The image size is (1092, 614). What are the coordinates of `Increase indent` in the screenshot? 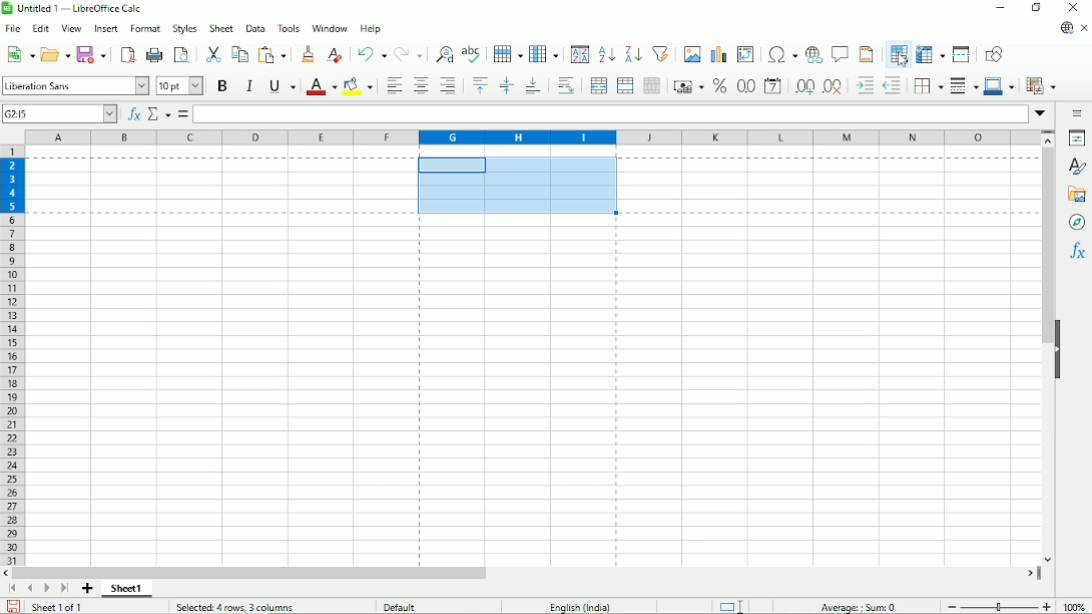 It's located at (863, 87).